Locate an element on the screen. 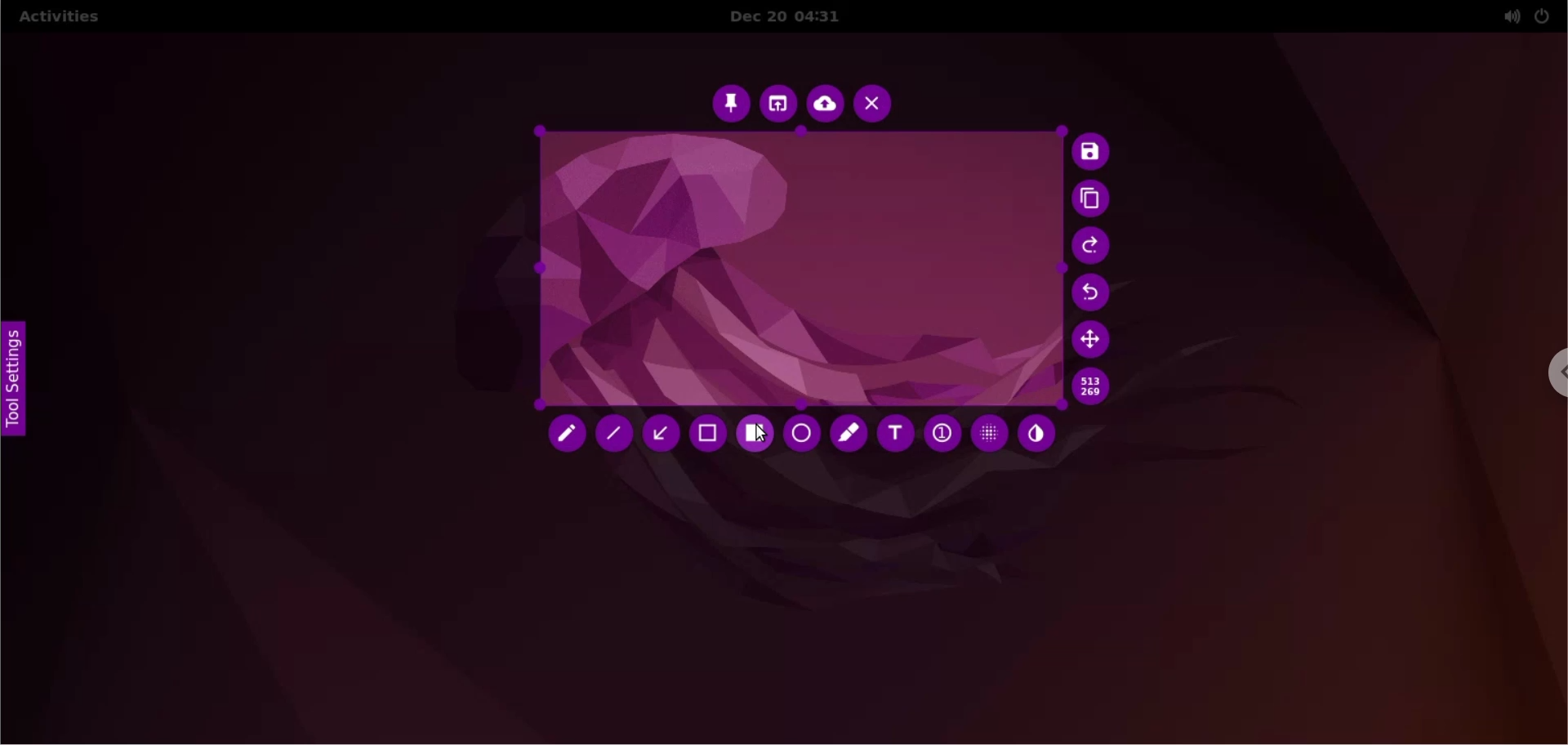  marker tool is located at coordinates (849, 436).